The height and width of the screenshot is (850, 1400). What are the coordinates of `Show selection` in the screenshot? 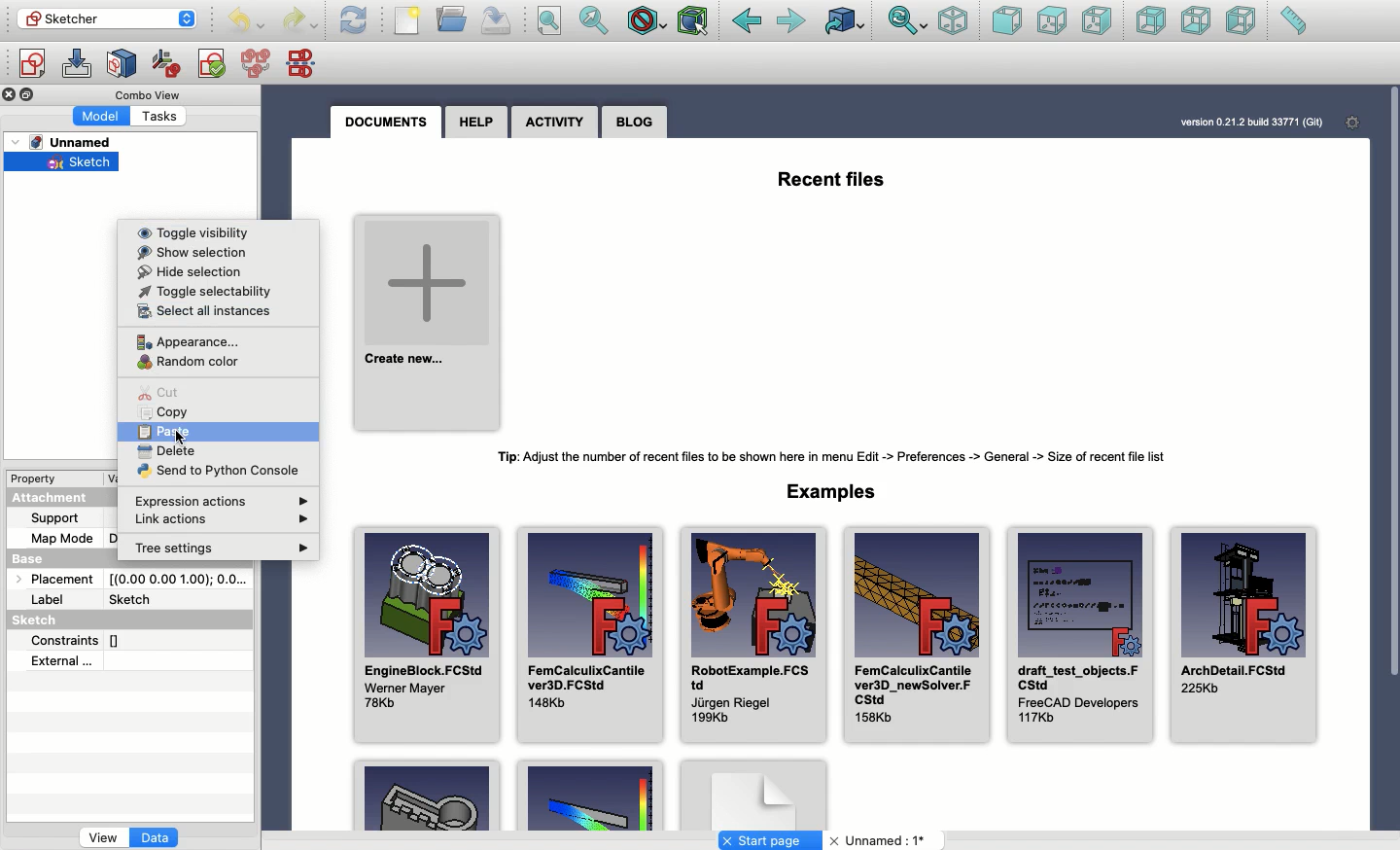 It's located at (186, 251).